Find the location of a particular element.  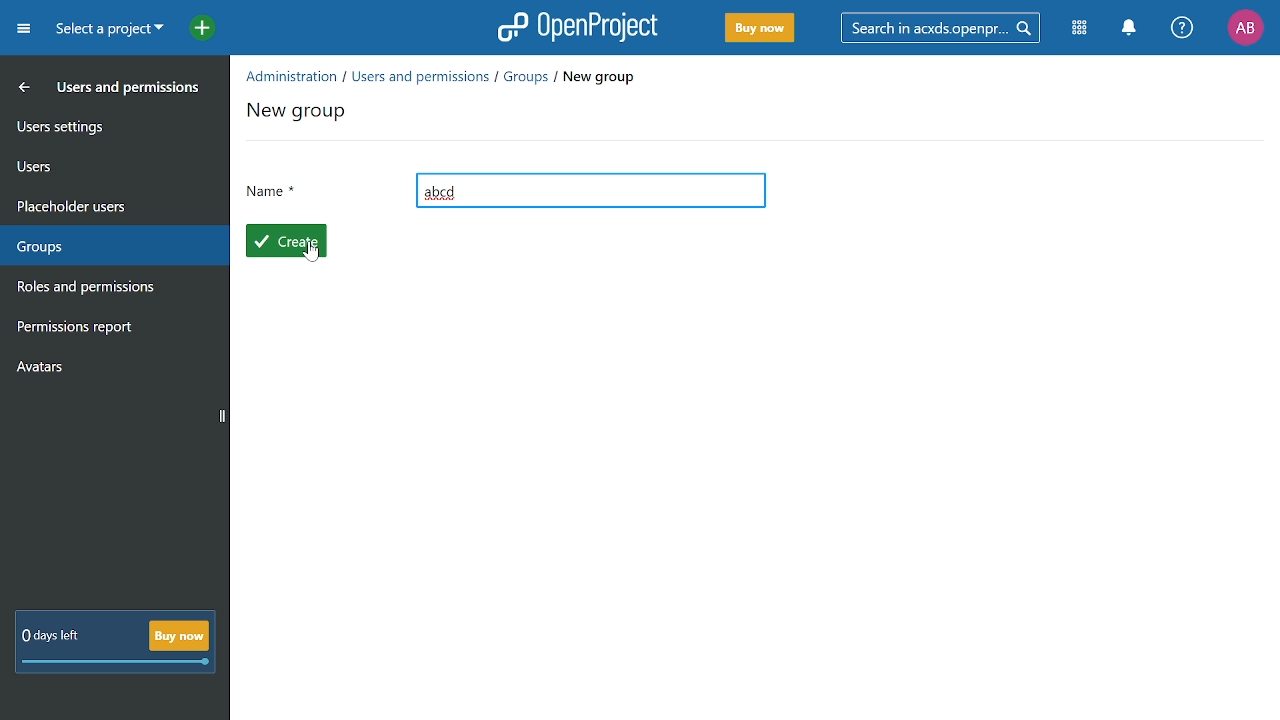

Modules is located at coordinates (1081, 27).